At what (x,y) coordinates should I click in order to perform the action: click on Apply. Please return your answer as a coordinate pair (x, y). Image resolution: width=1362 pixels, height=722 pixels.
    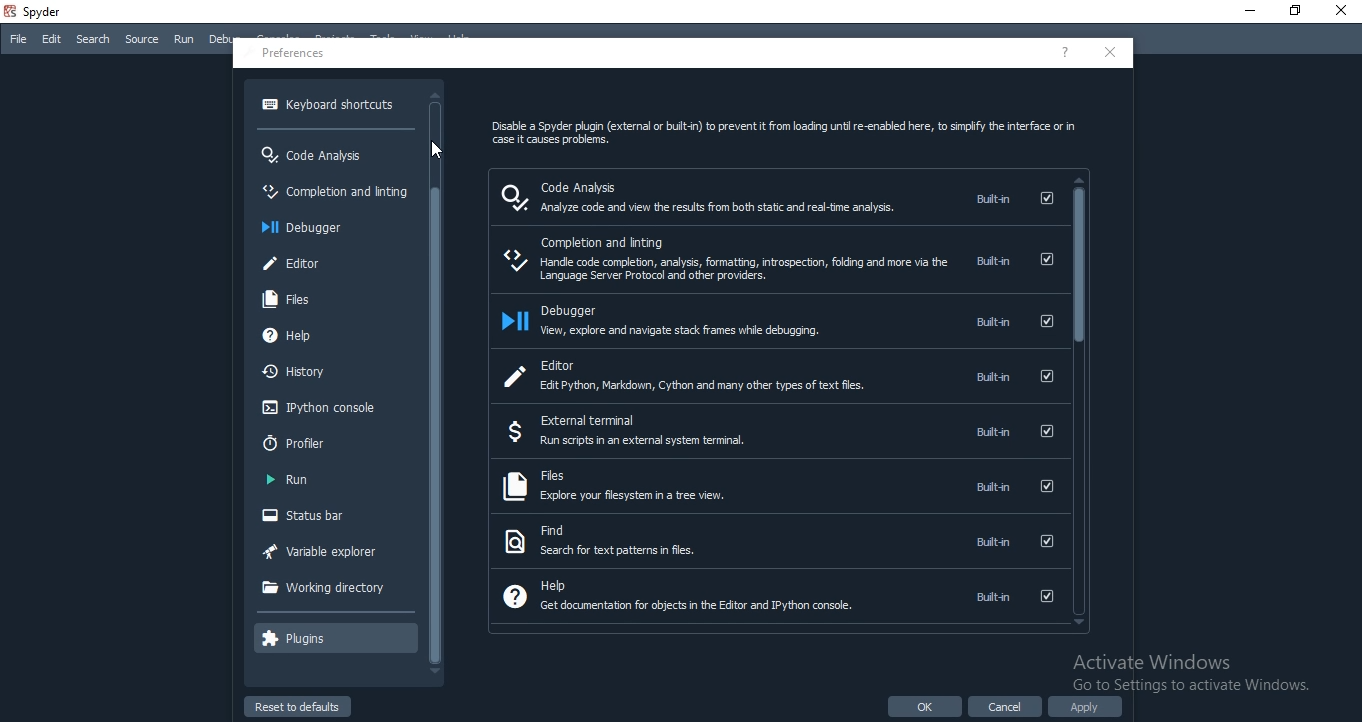
    Looking at the image, I should click on (1093, 708).